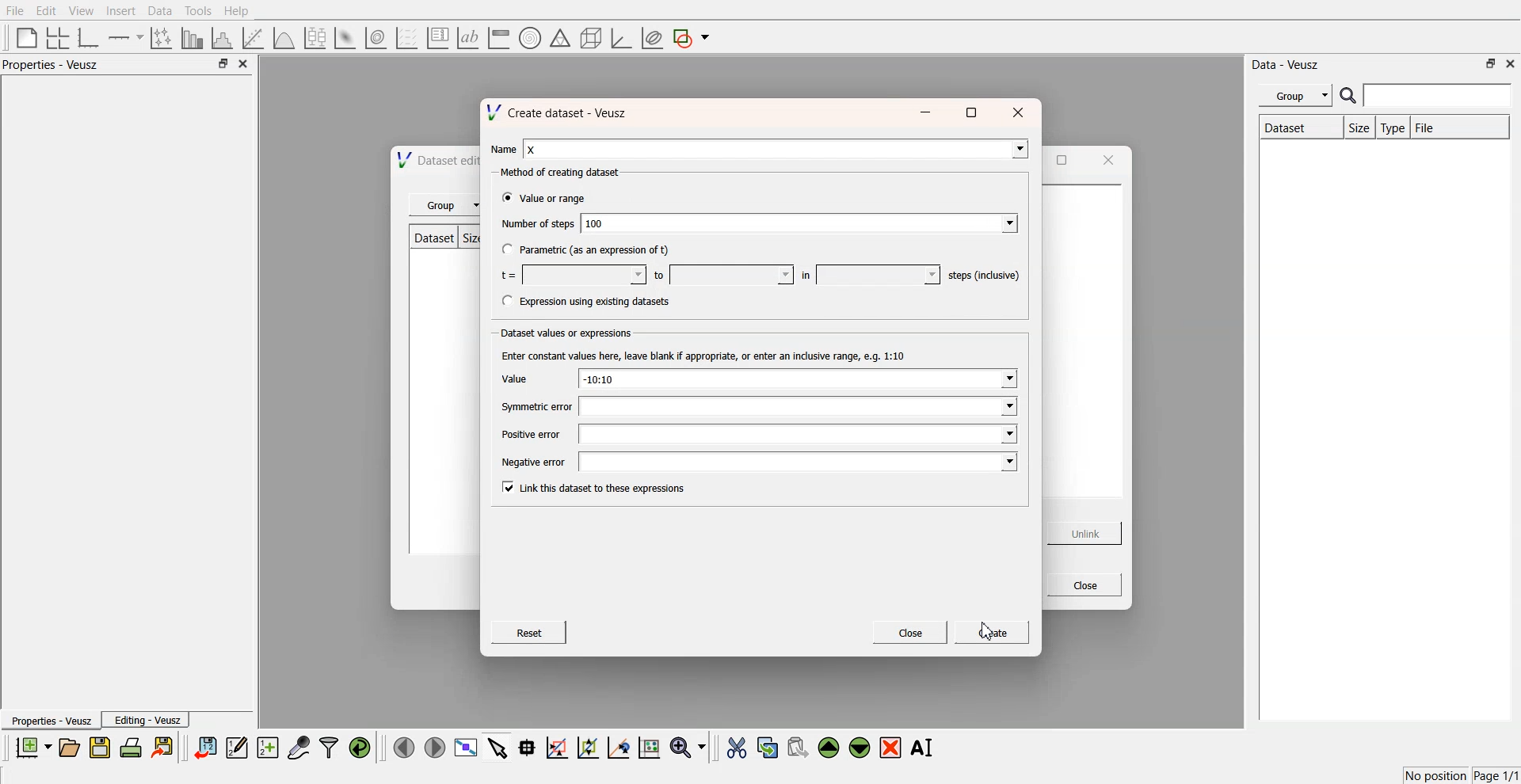 The image size is (1521, 784). What do you see at coordinates (505, 300) in the screenshot?
I see `checkbox` at bounding box center [505, 300].